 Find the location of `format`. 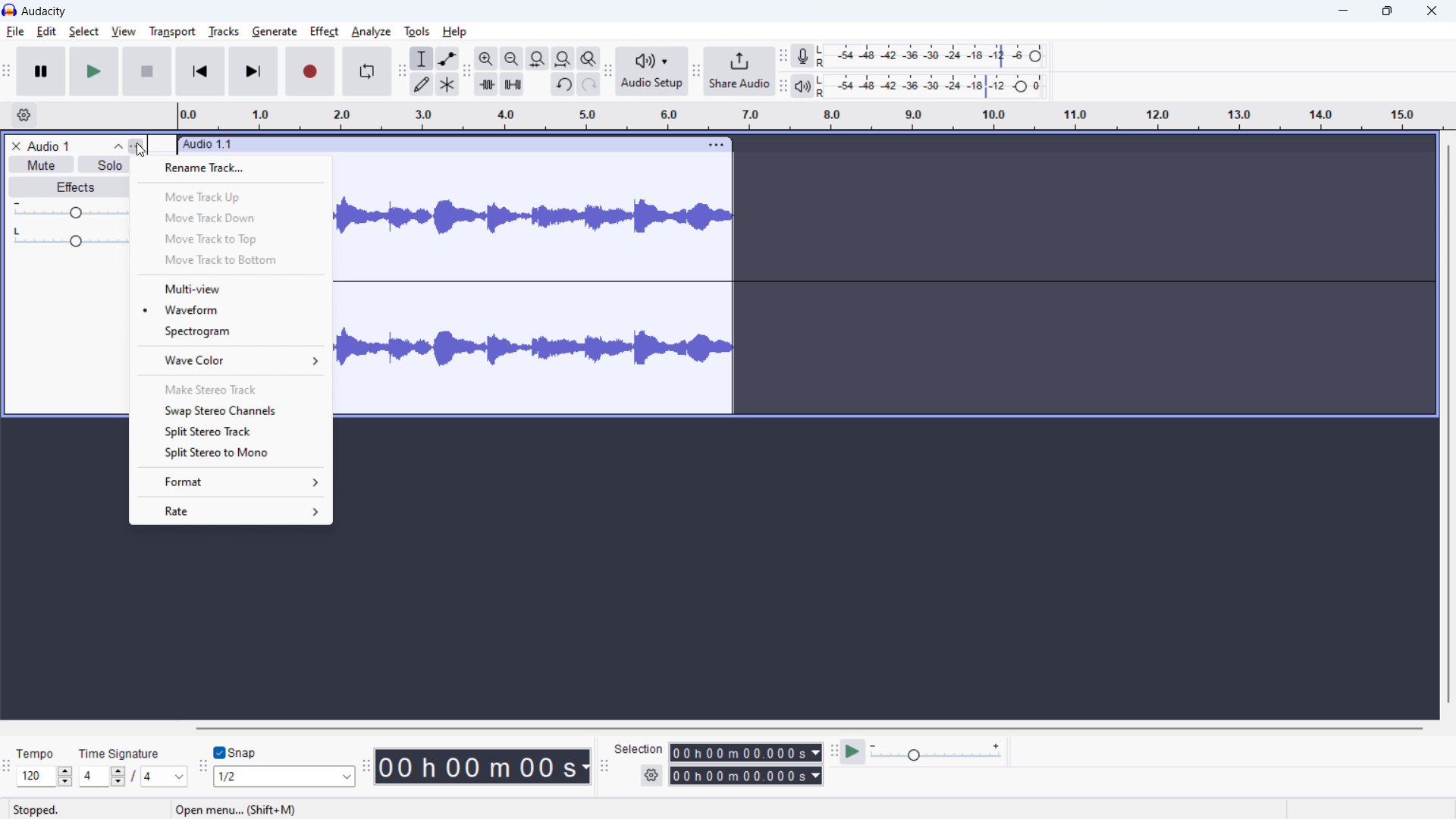

format is located at coordinates (228, 480).